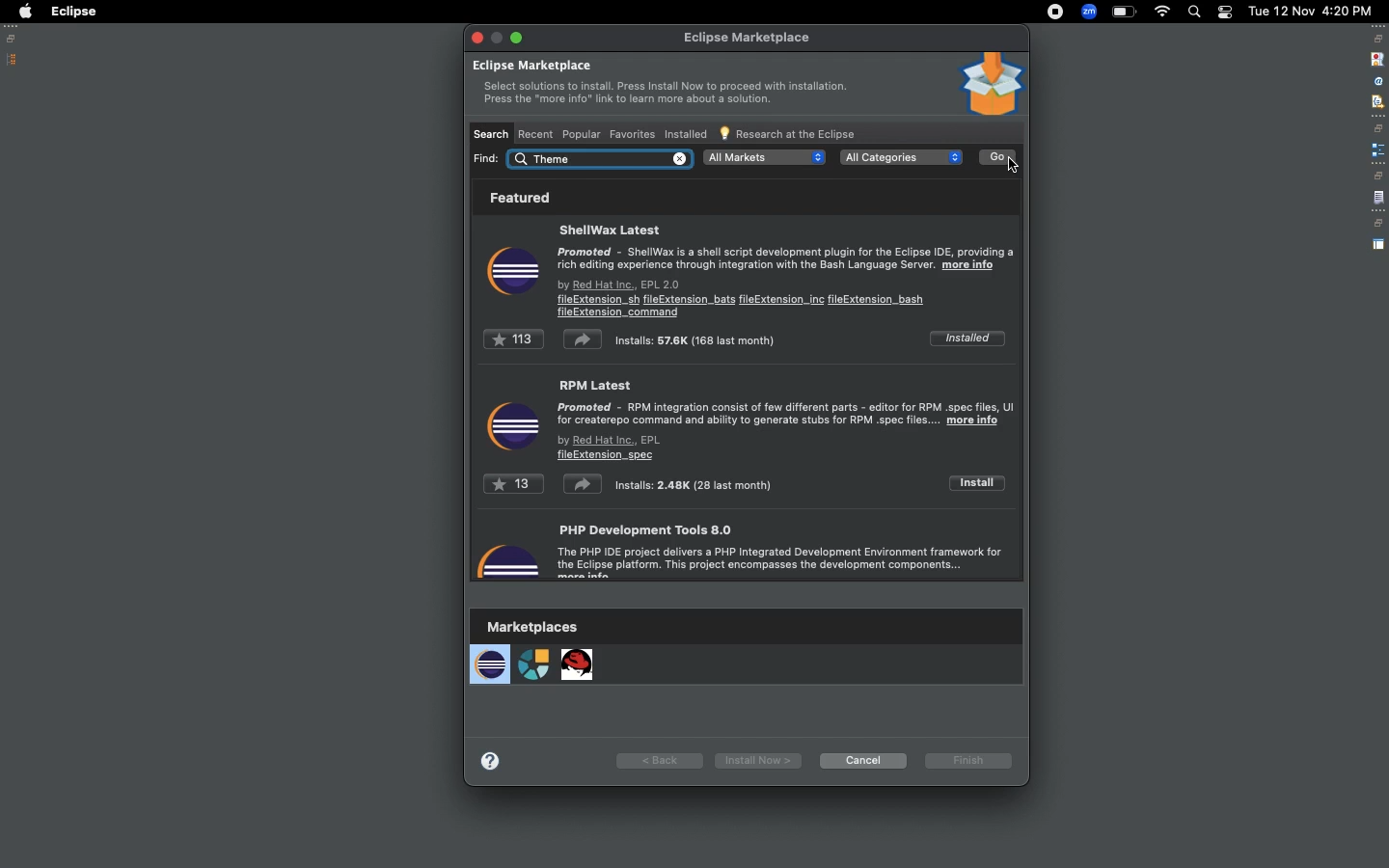 This screenshot has height=868, width=1389. Describe the element at coordinates (1055, 14) in the screenshot. I see `Recording` at that location.